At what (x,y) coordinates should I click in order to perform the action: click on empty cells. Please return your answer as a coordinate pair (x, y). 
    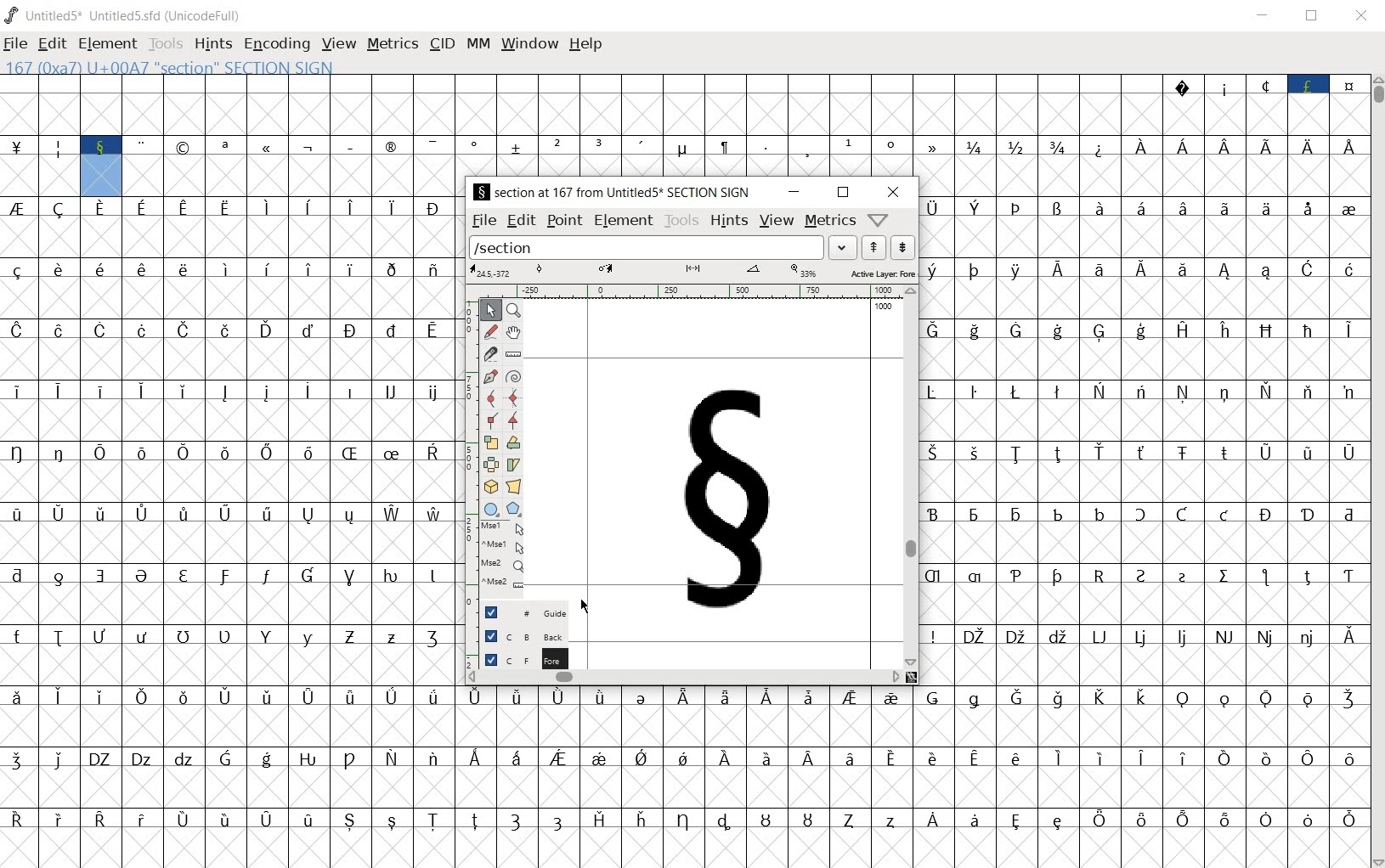
    Looking at the image, I should click on (1146, 362).